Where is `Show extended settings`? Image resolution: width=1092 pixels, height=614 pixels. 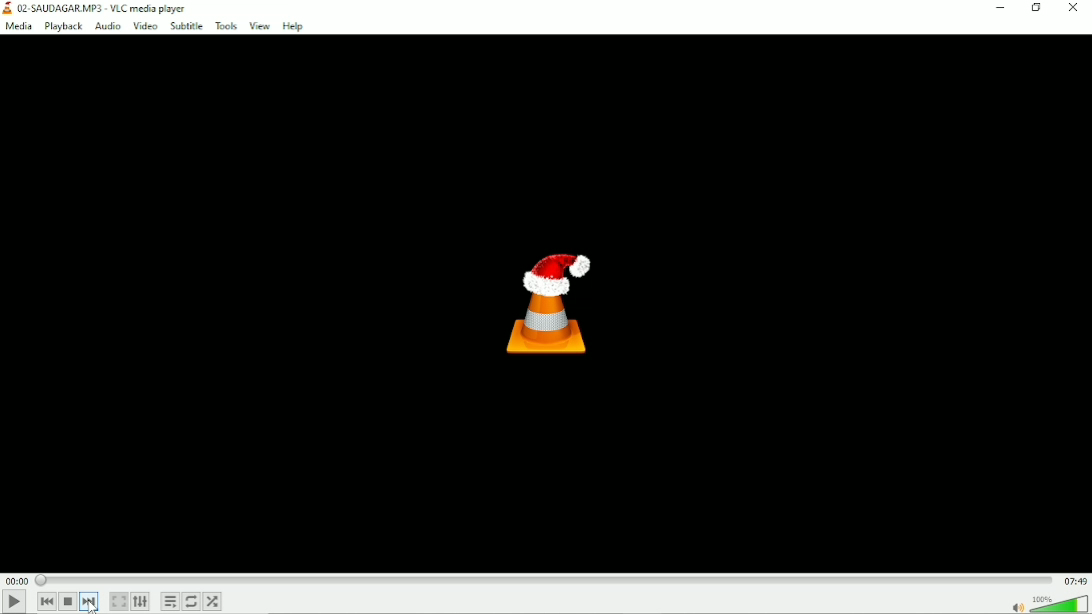 Show extended settings is located at coordinates (141, 602).